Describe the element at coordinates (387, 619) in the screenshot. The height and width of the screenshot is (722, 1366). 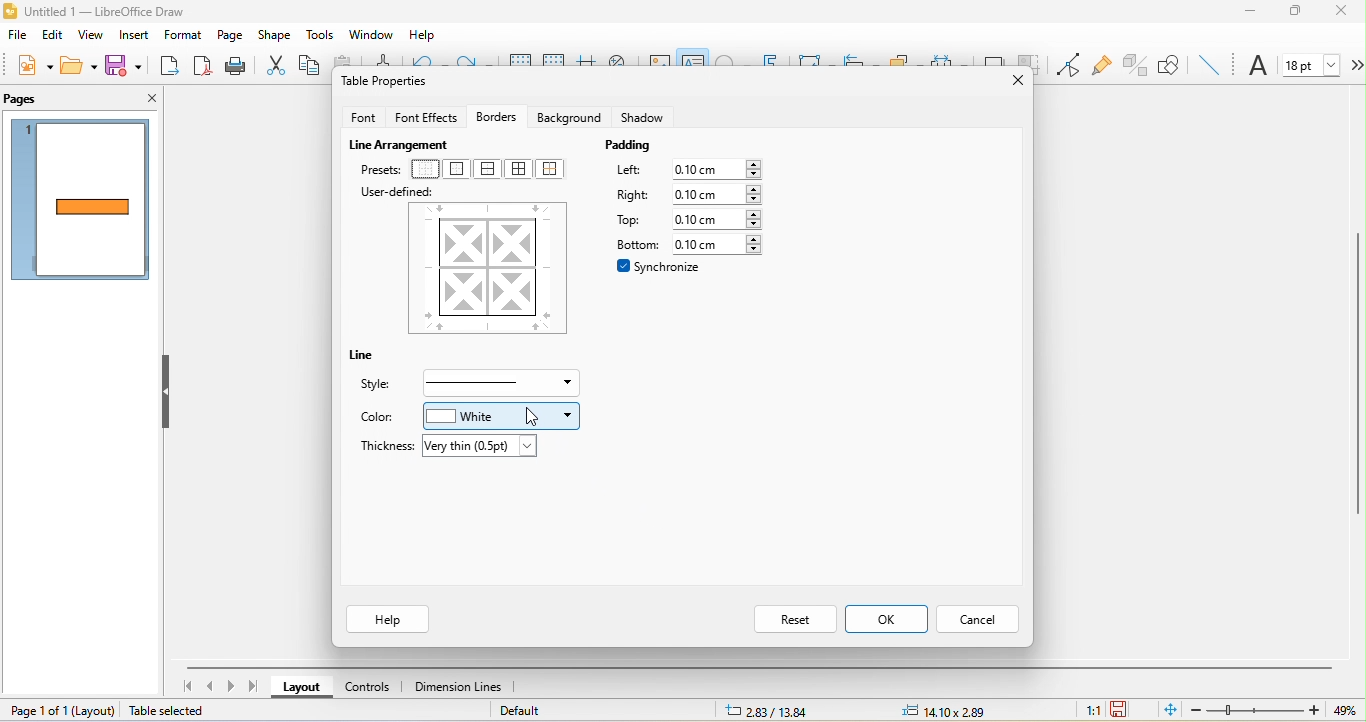
I see `help` at that location.